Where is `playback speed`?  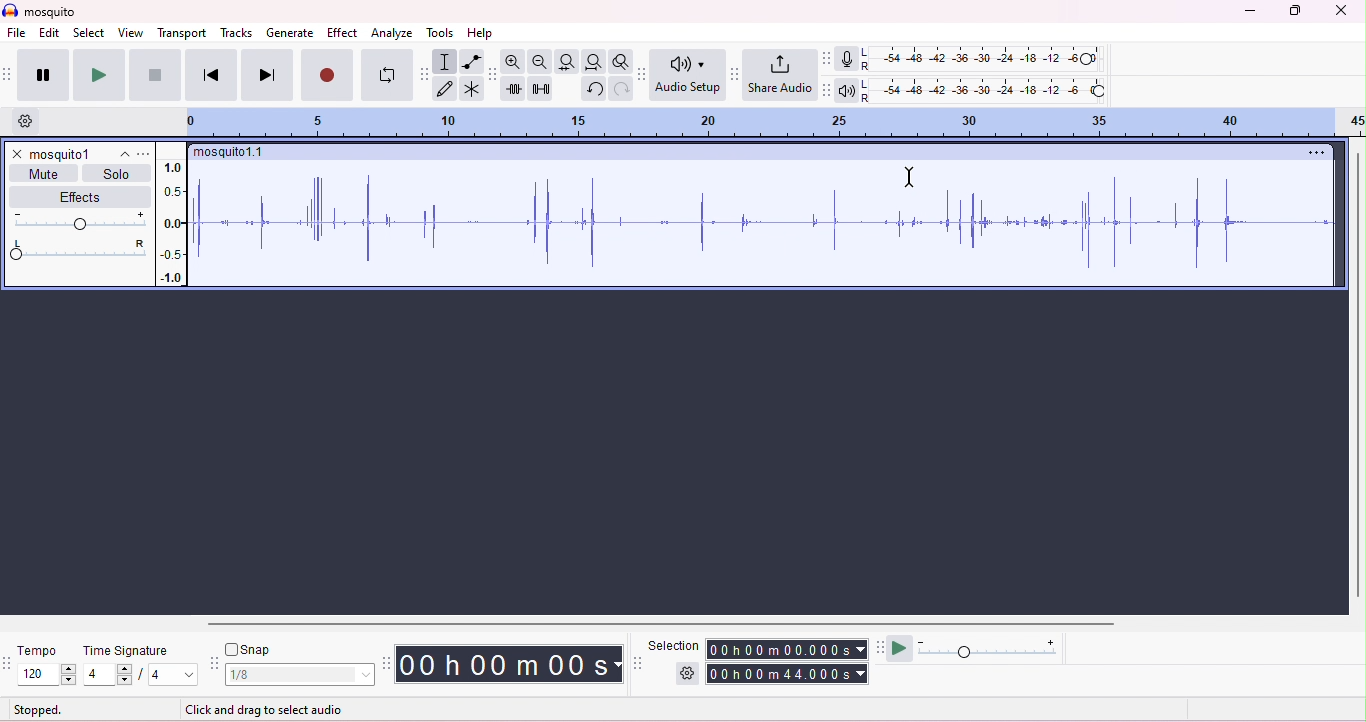 playback speed is located at coordinates (989, 647).